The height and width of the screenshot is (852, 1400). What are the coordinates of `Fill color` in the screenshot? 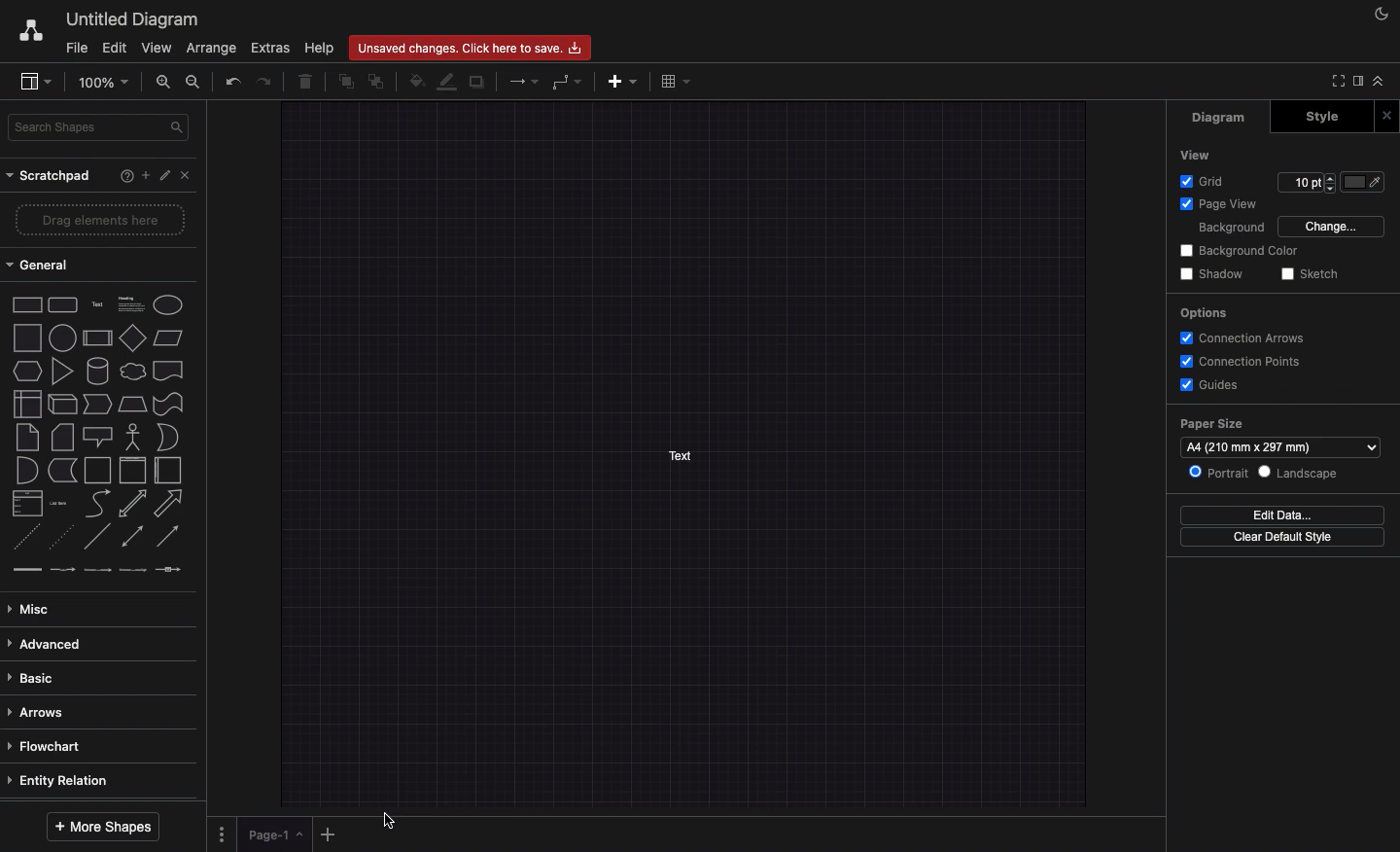 It's located at (416, 83).